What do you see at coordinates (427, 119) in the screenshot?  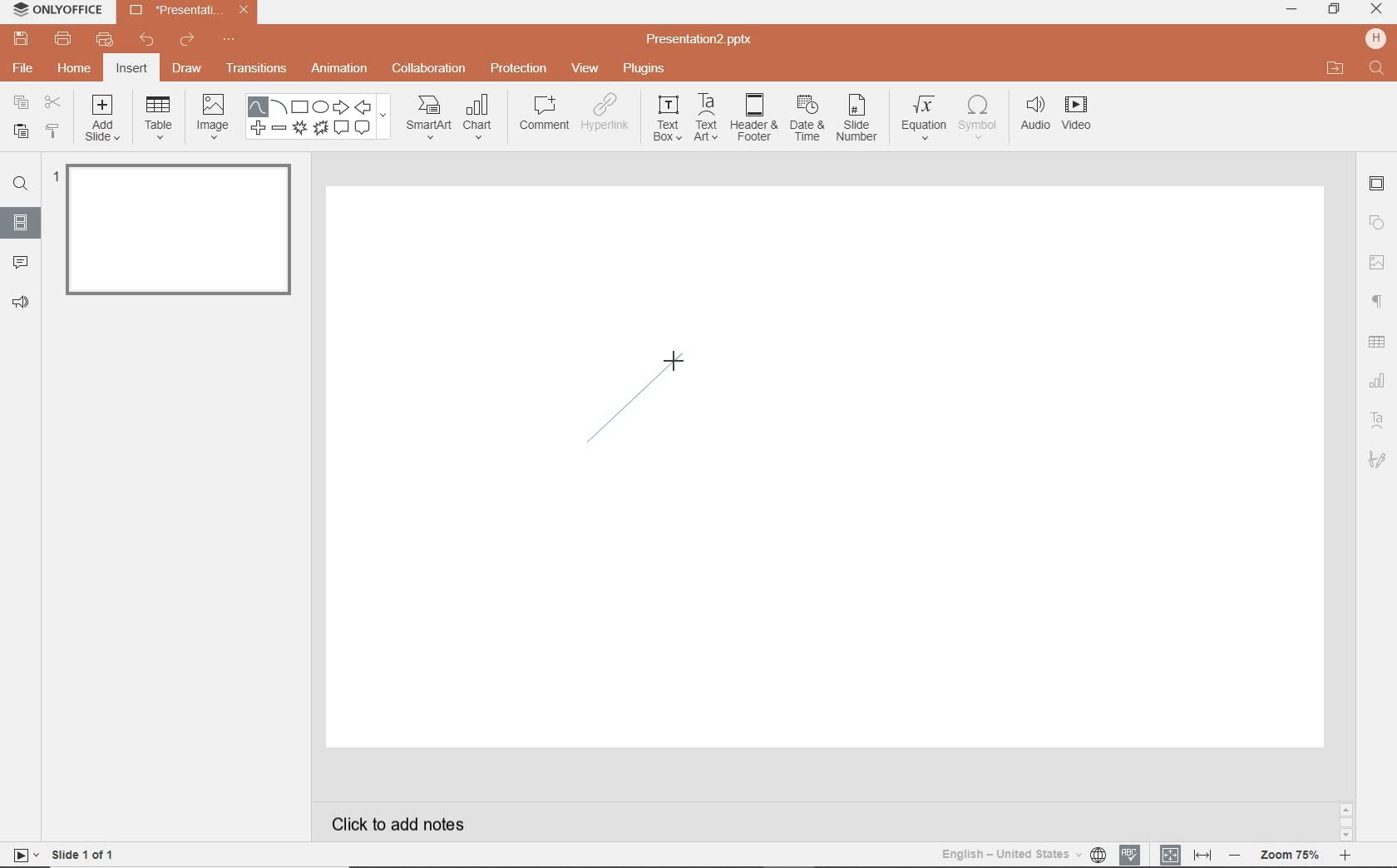 I see `SMART ART` at bounding box center [427, 119].